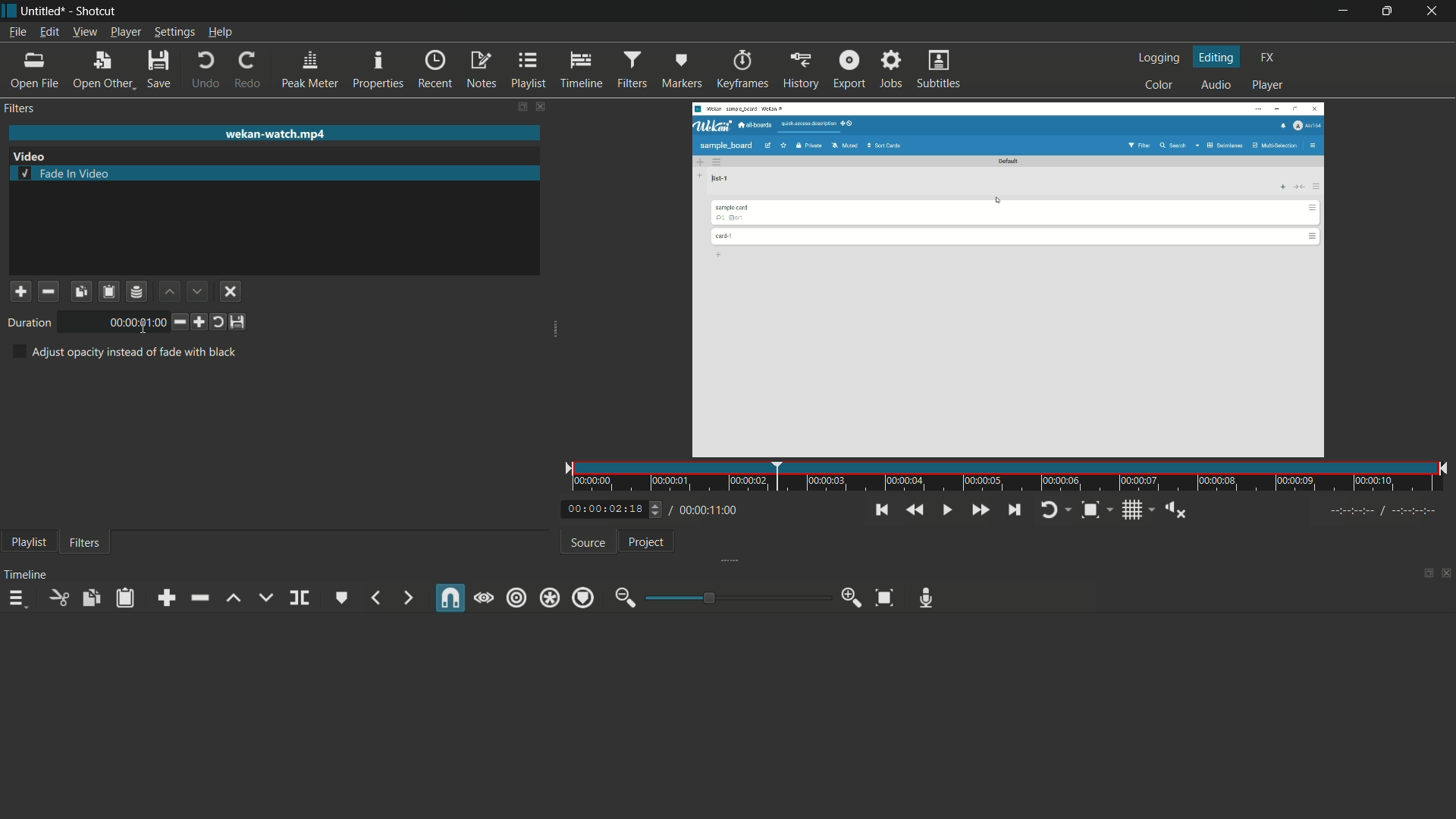 This screenshot has height=819, width=1456. I want to click on filters, so click(20, 108).